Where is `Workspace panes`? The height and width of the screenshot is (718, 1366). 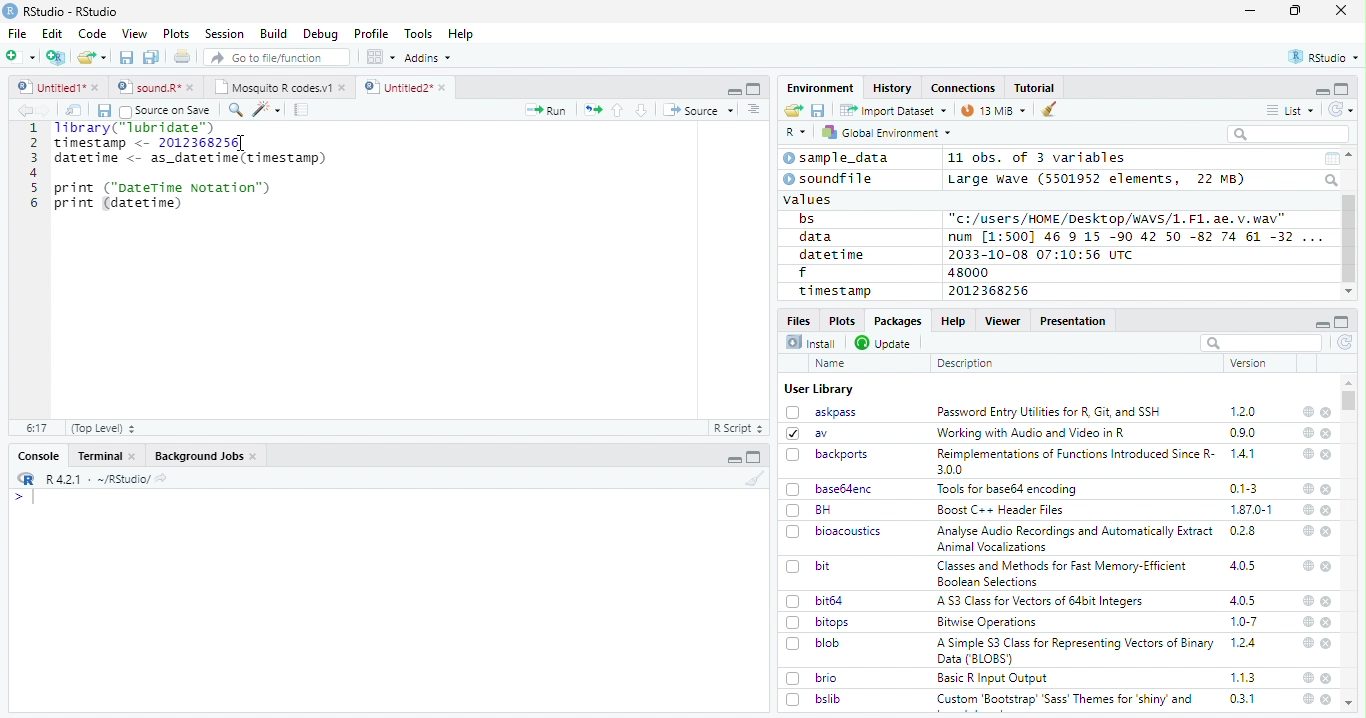
Workspace panes is located at coordinates (381, 57).